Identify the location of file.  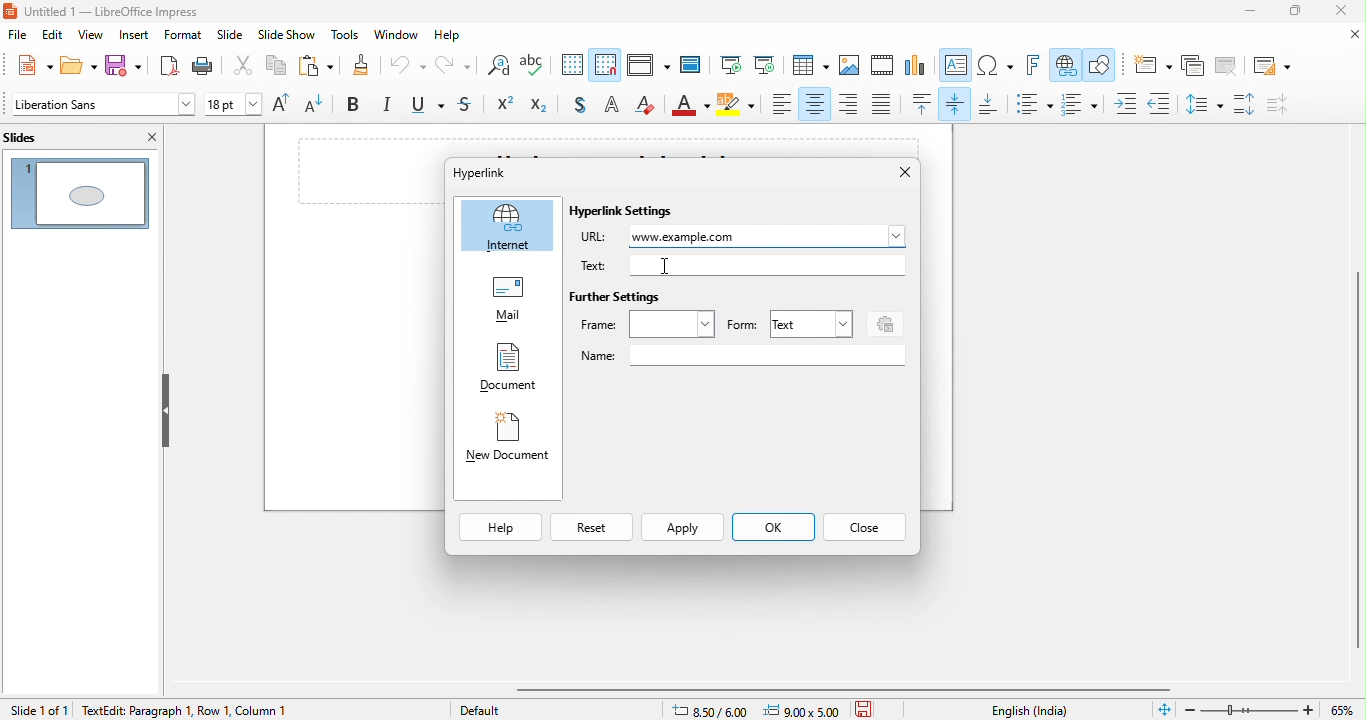
(17, 37).